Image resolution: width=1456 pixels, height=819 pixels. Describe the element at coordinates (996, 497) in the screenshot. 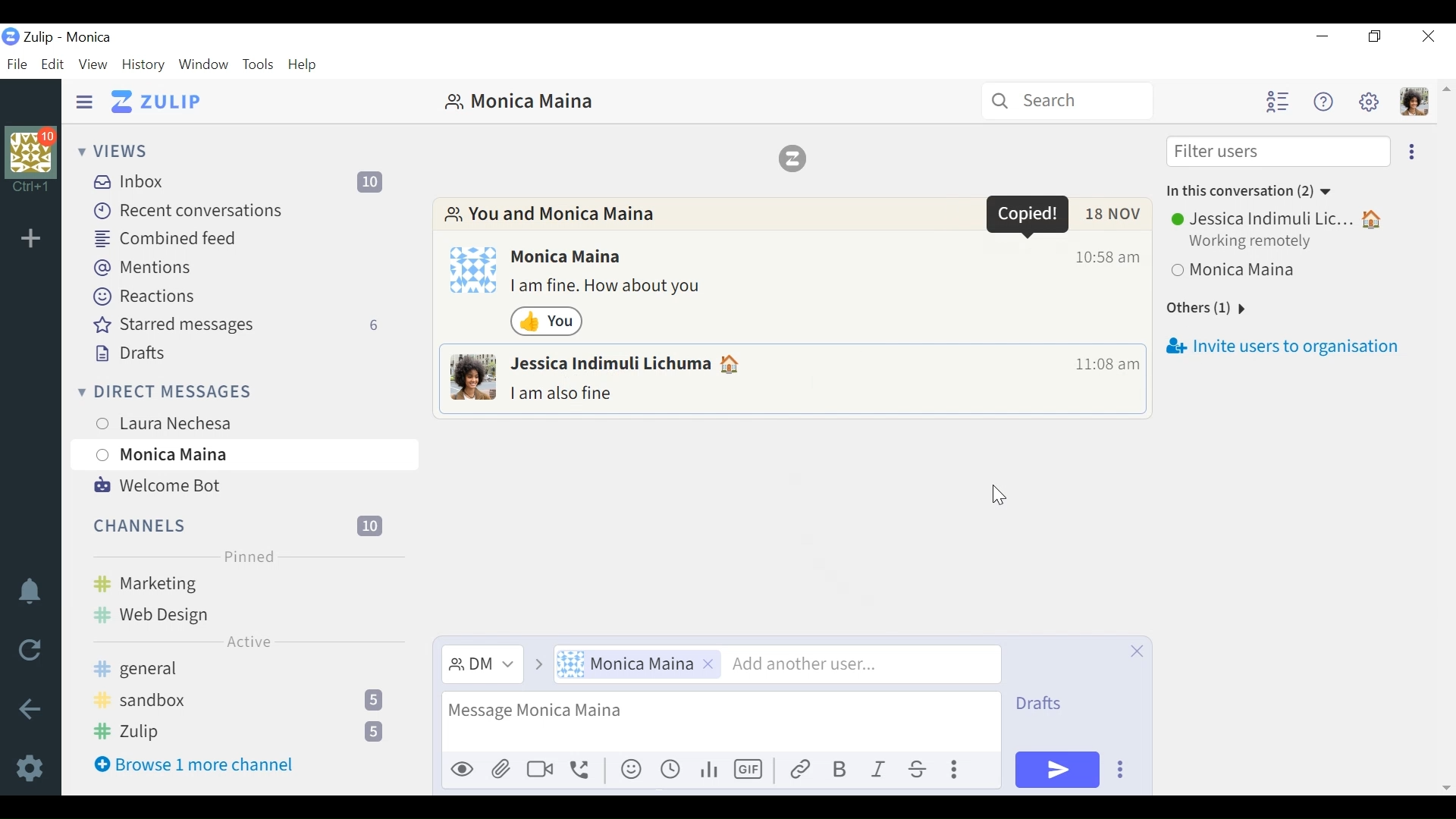

I see `Cursor` at that location.